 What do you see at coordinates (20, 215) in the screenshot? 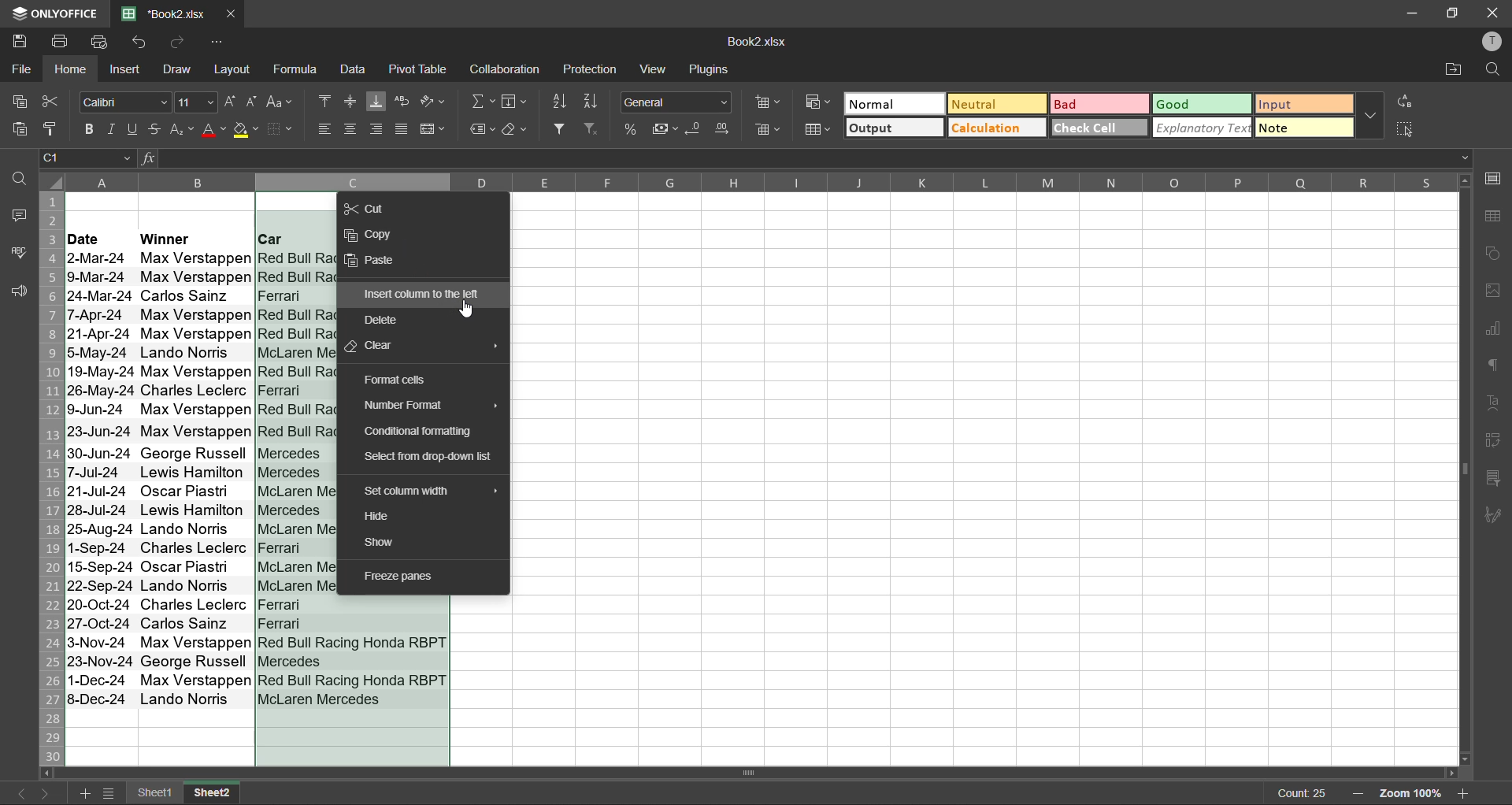
I see `comments` at bounding box center [20, 215].